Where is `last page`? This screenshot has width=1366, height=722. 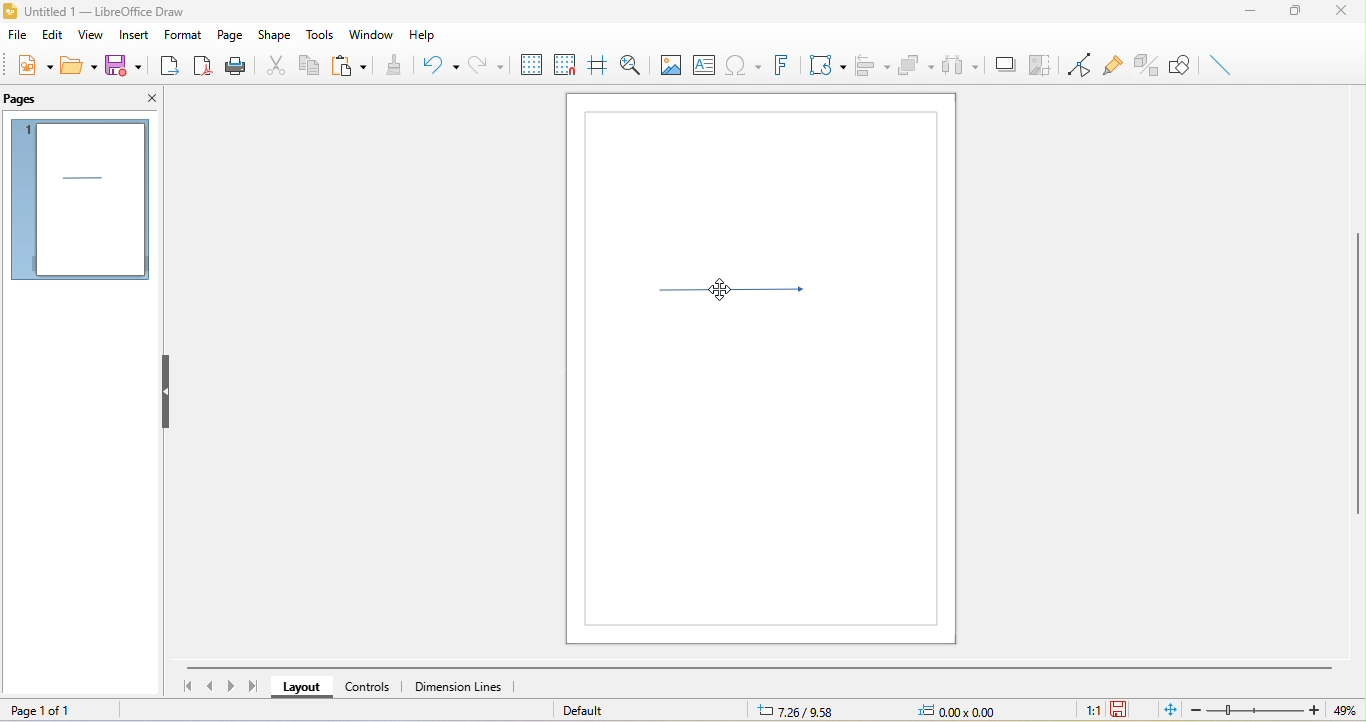 last page is located at coordinates (255, 686).